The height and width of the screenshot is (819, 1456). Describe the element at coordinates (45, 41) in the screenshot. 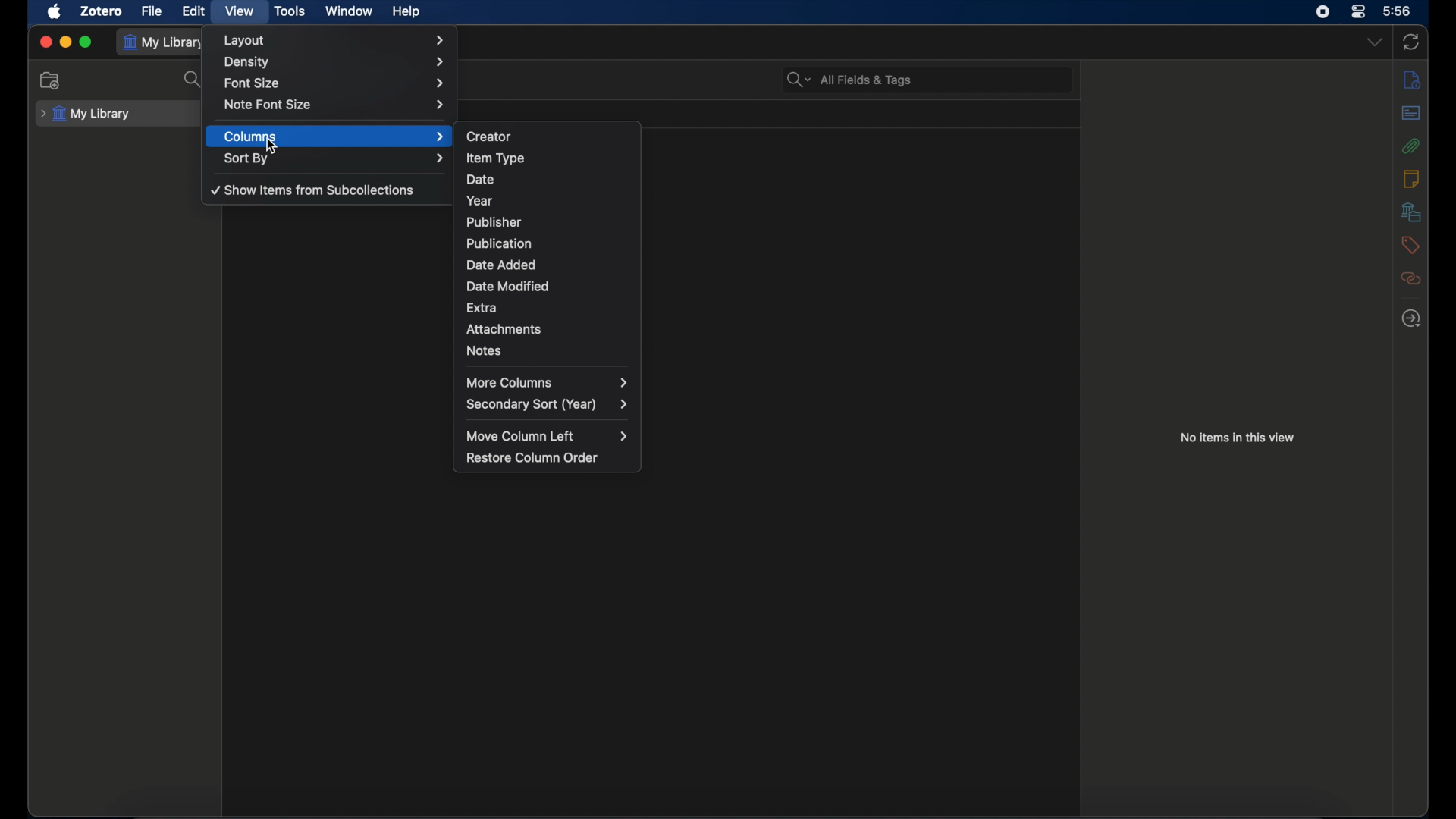

I see `close` at that location.